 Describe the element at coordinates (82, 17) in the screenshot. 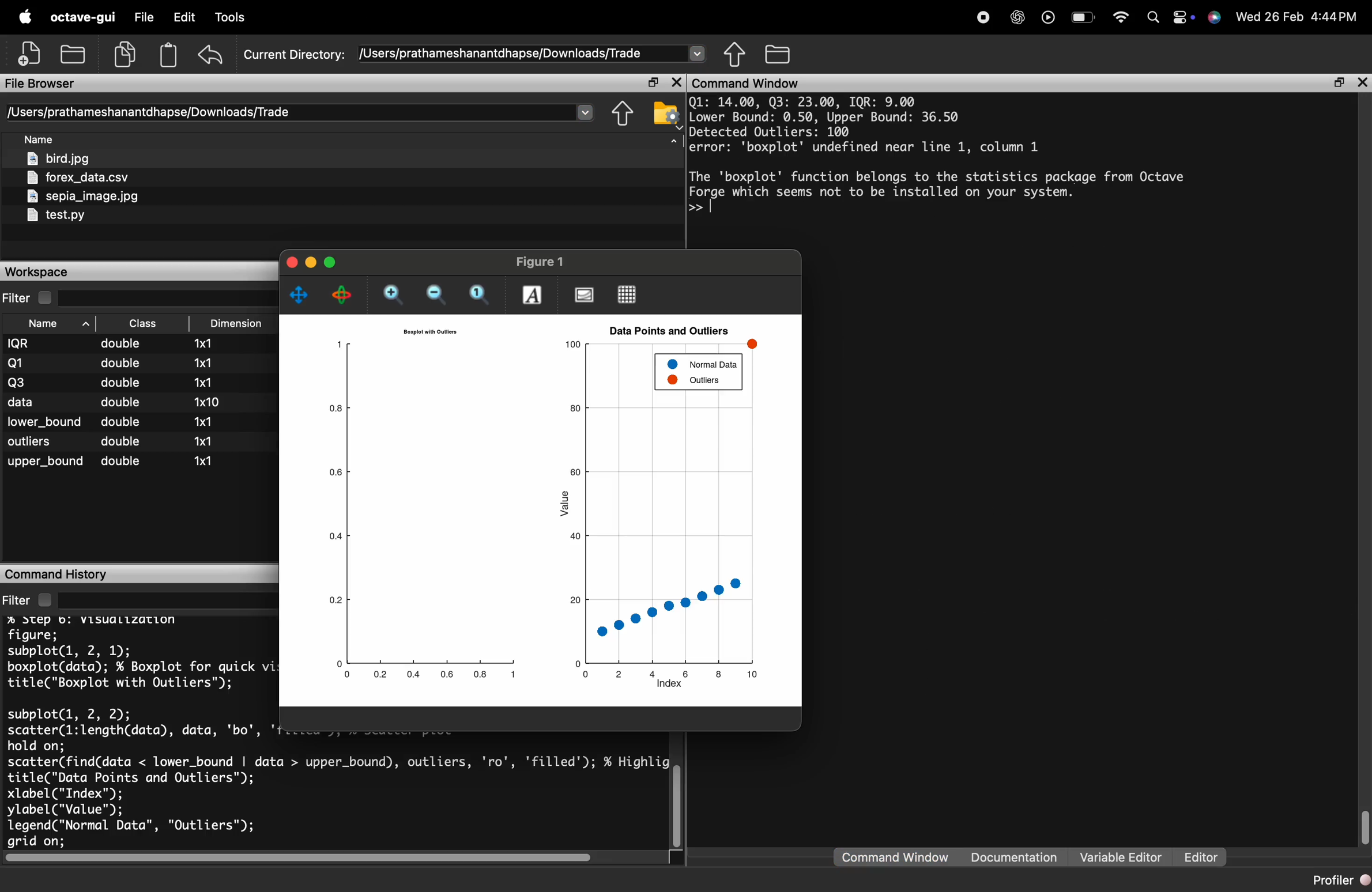

I see `octave-gui` at that location.